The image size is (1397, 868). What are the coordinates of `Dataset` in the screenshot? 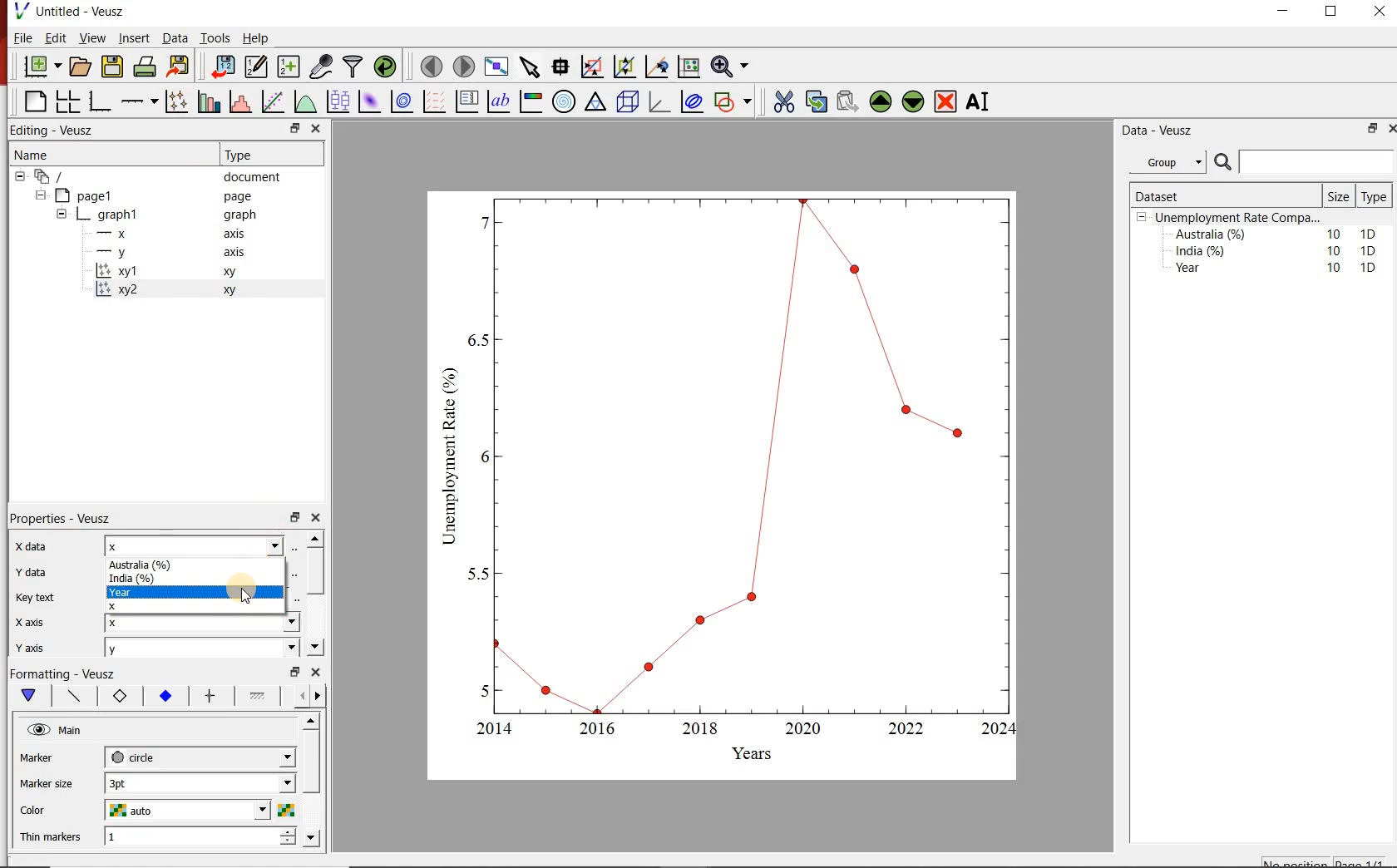 It's located at (1196, 196).